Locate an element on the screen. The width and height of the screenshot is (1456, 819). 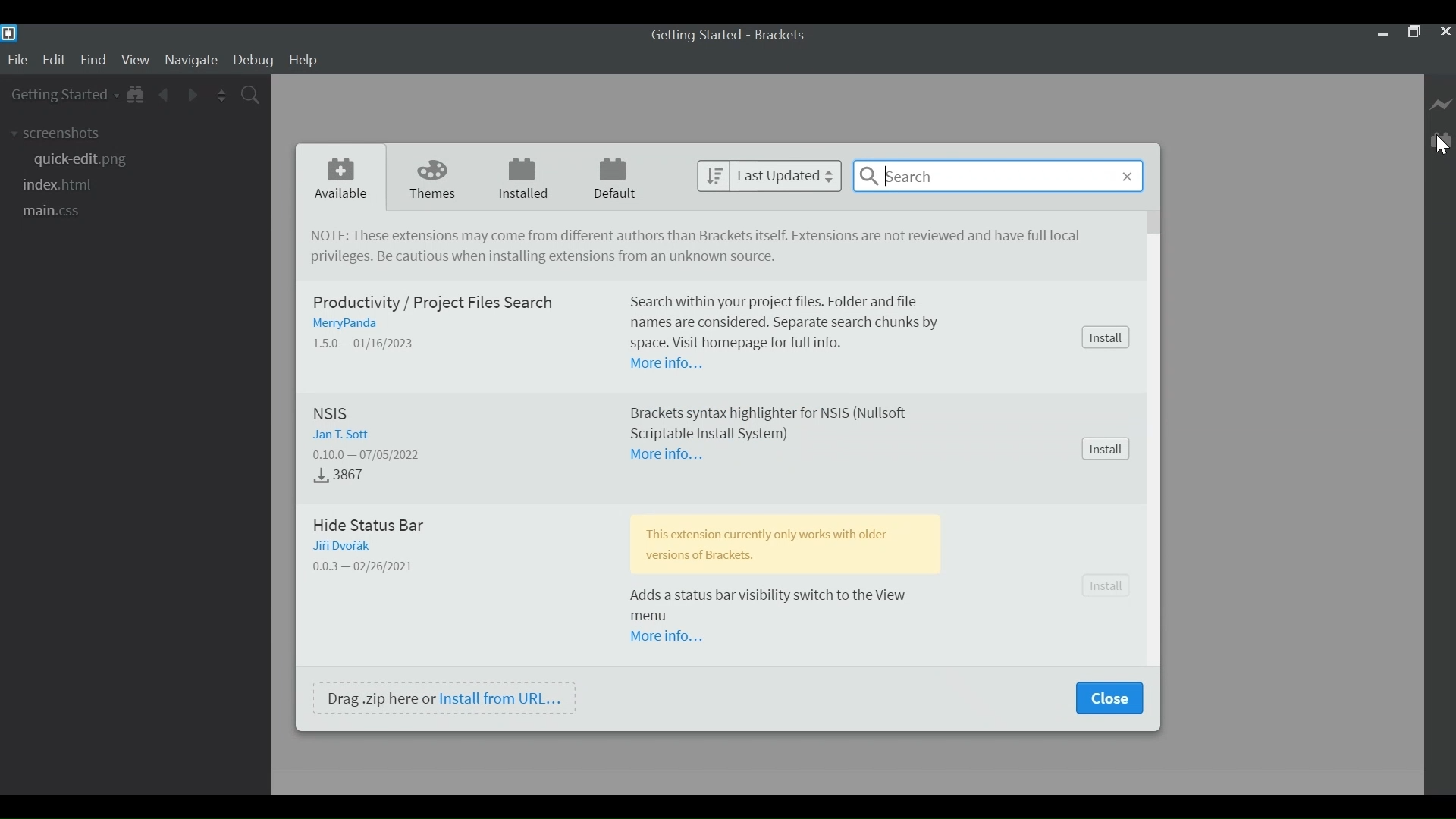
NSIS is located at coordinates (333, 414).